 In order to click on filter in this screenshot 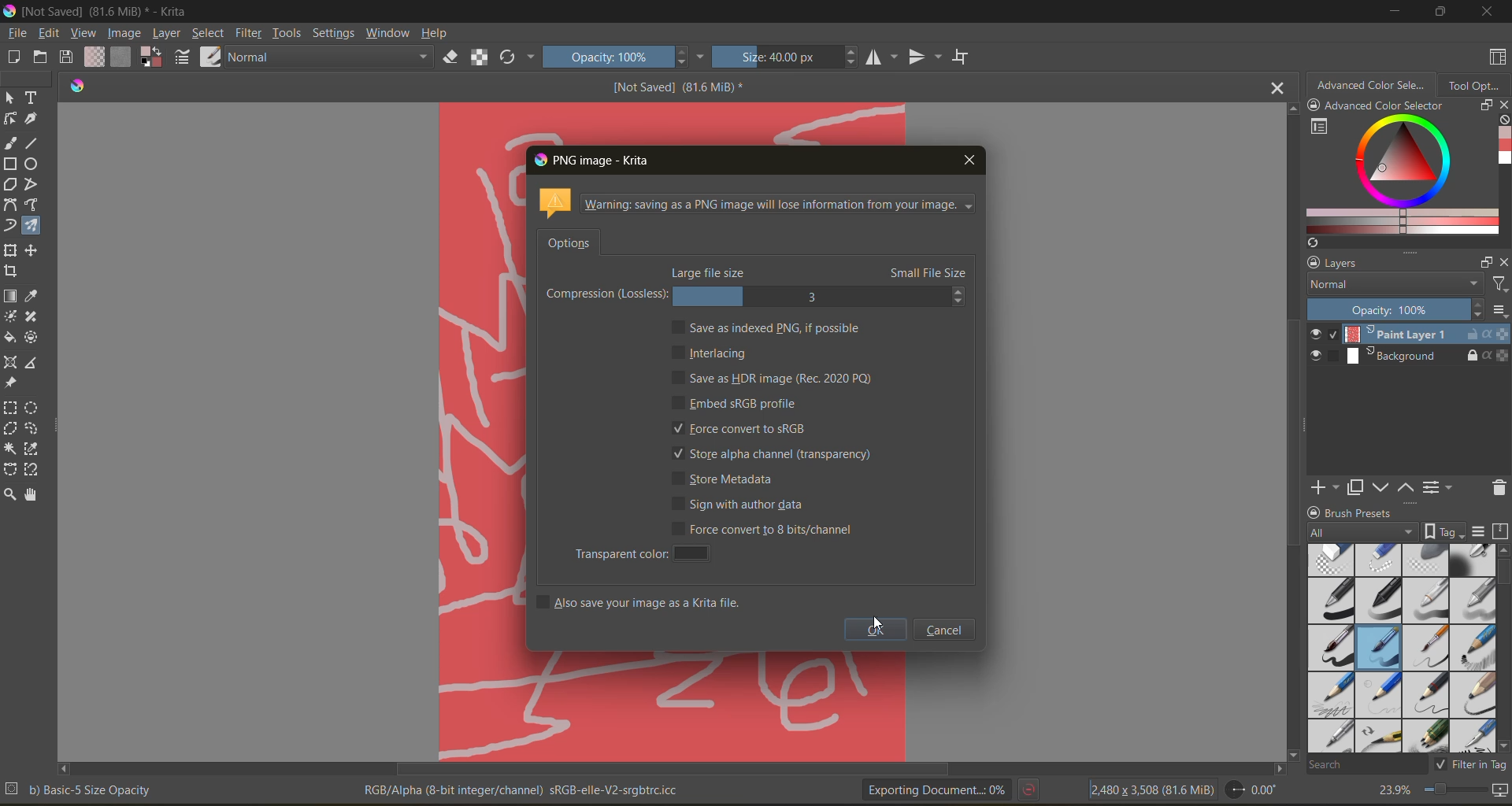, I will do `click(250, 35)`.